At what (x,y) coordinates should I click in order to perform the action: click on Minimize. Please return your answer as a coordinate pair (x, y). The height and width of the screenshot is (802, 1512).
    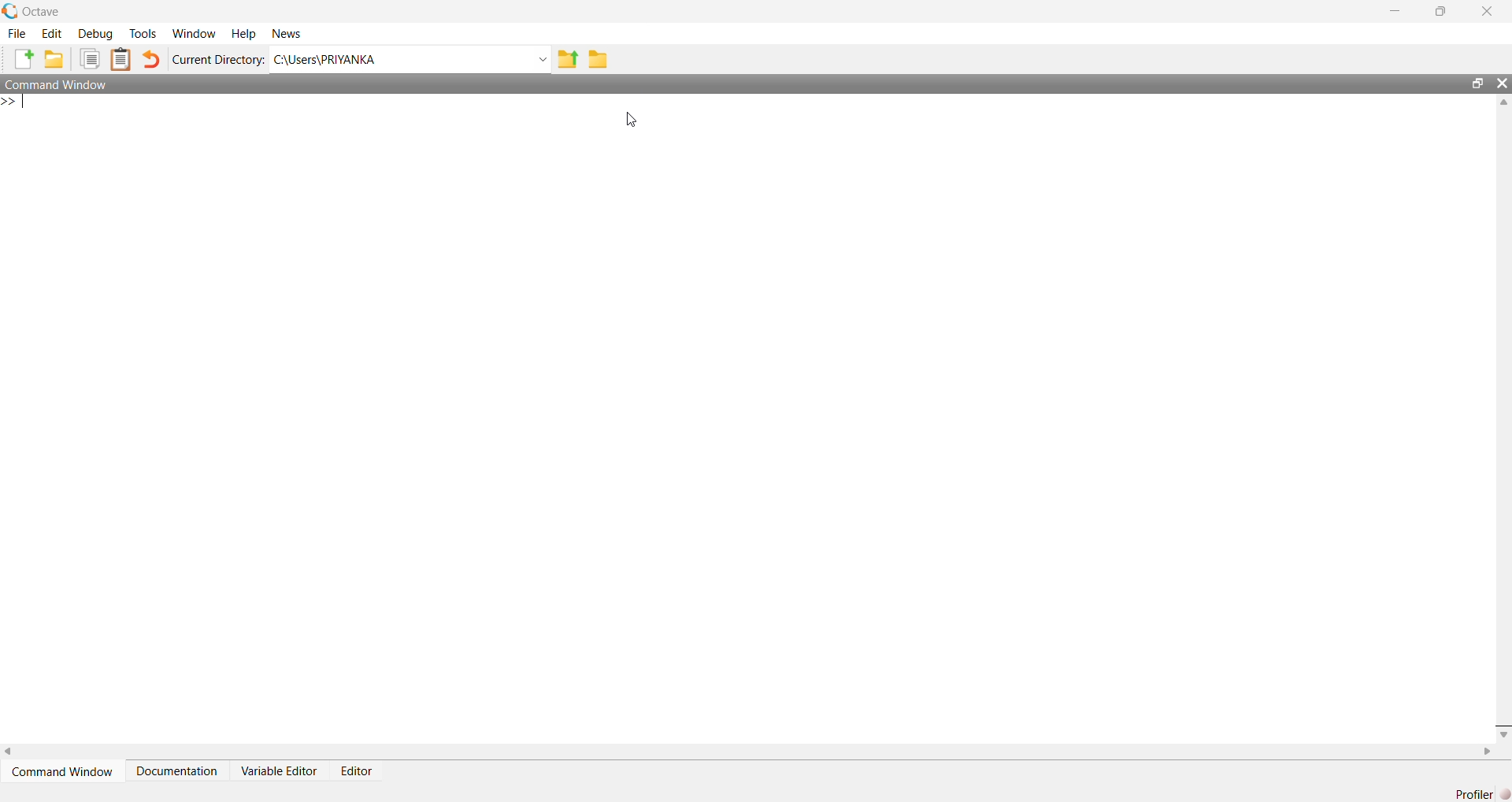
    Looking at the image, I should click on (1397, 9).